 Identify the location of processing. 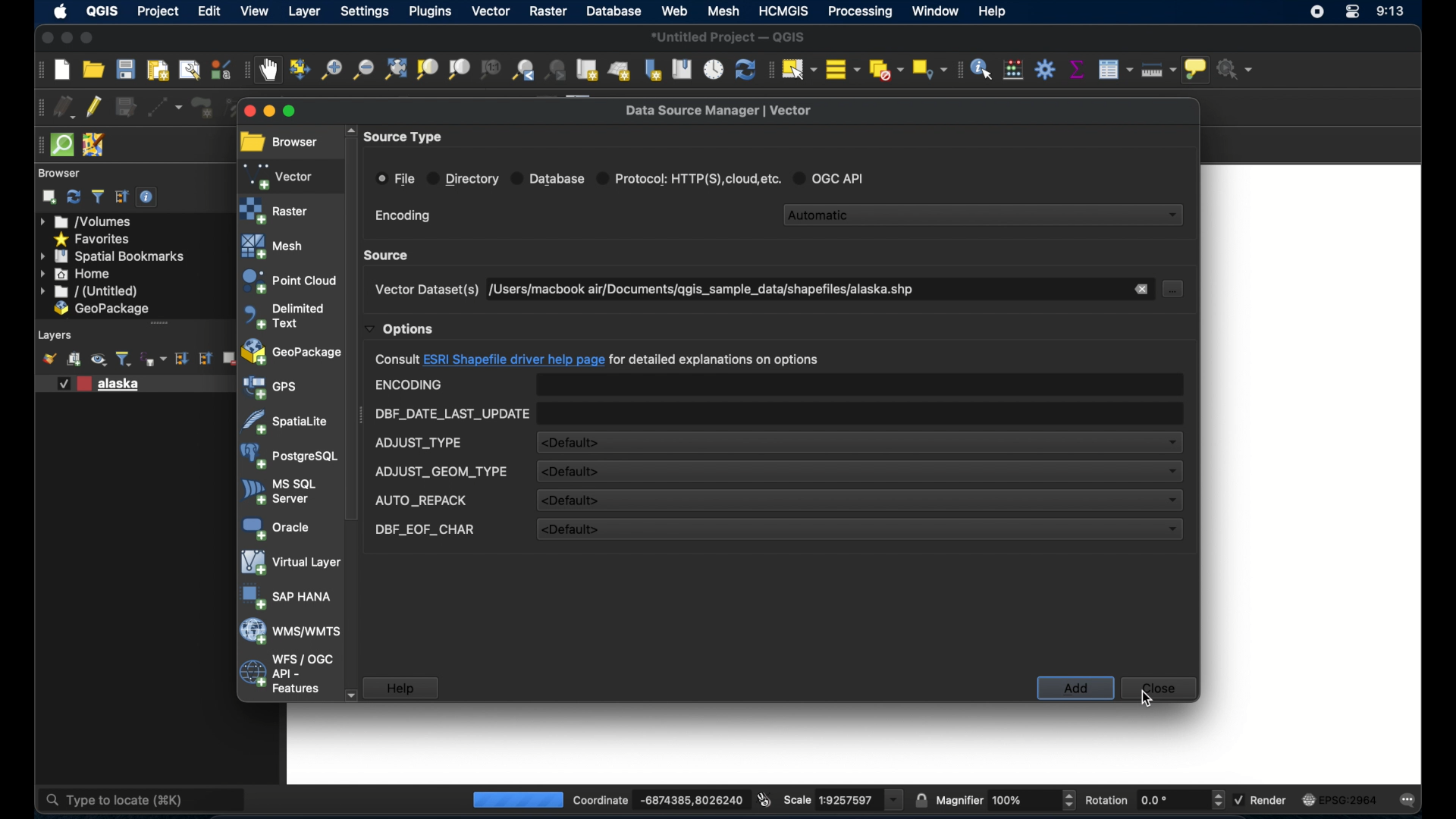
(516, 799).